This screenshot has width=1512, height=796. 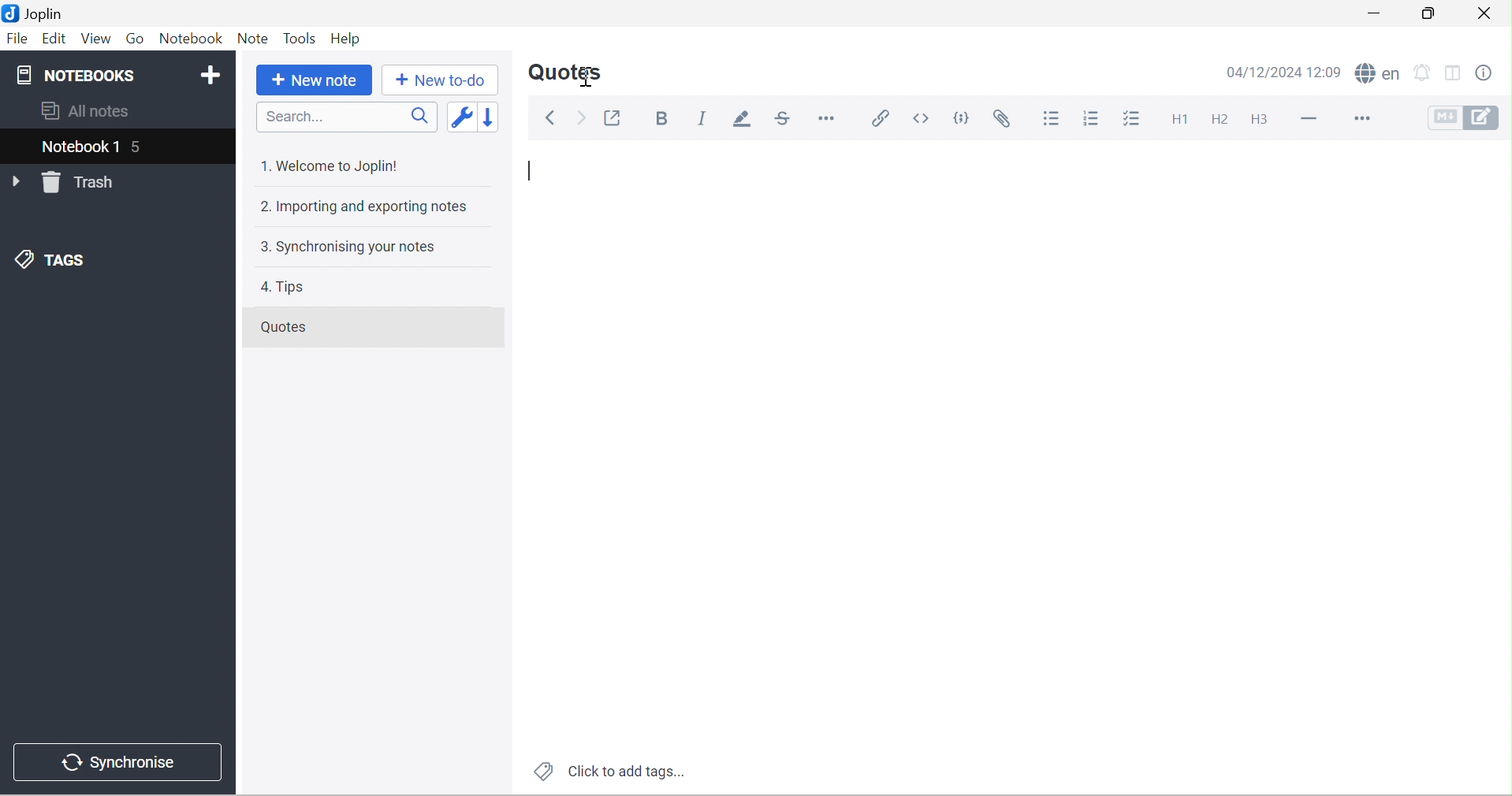 I want to click on 1. Welcome to Joplin!, so click(x=333, y=166).